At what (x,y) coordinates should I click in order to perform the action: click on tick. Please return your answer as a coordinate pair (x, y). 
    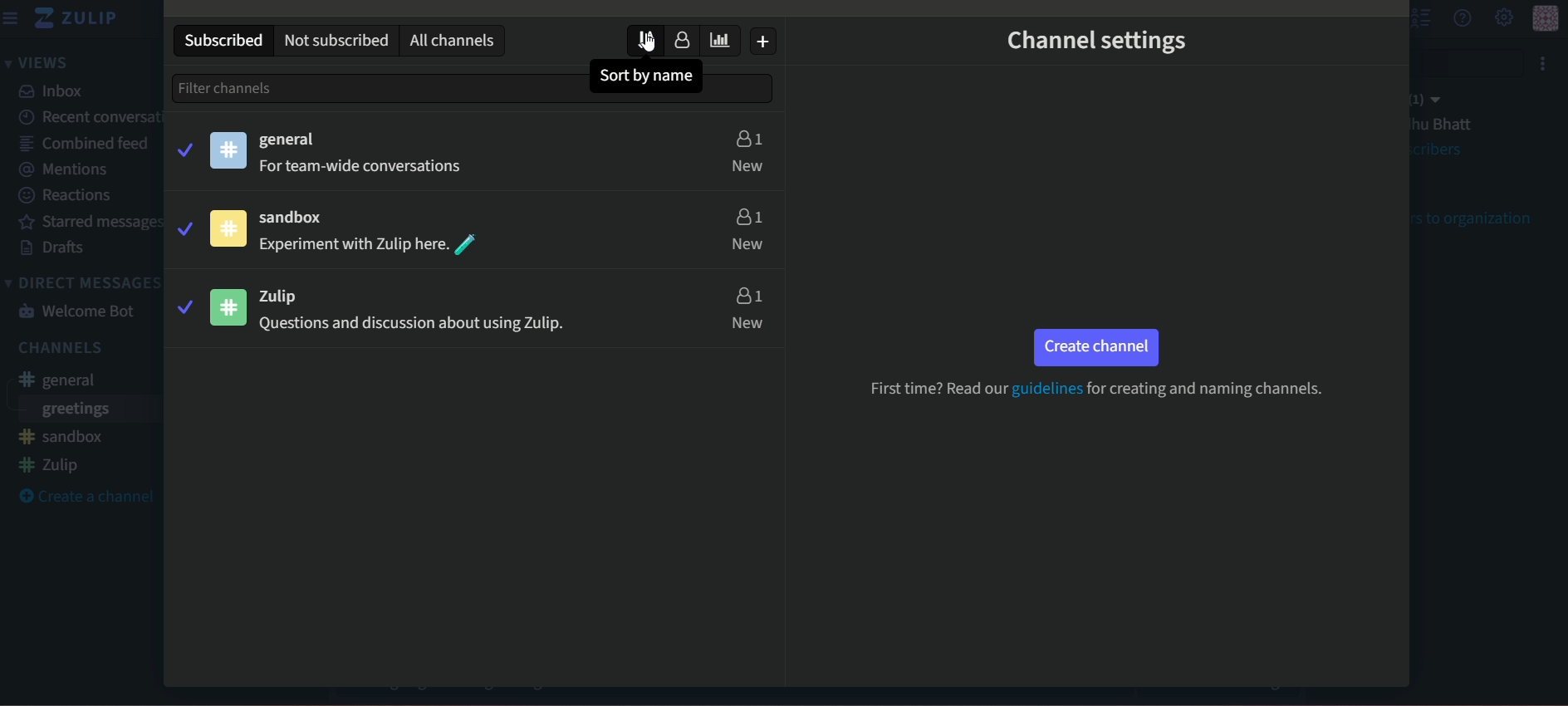
    Looking at the image, I should click on (186, 306).